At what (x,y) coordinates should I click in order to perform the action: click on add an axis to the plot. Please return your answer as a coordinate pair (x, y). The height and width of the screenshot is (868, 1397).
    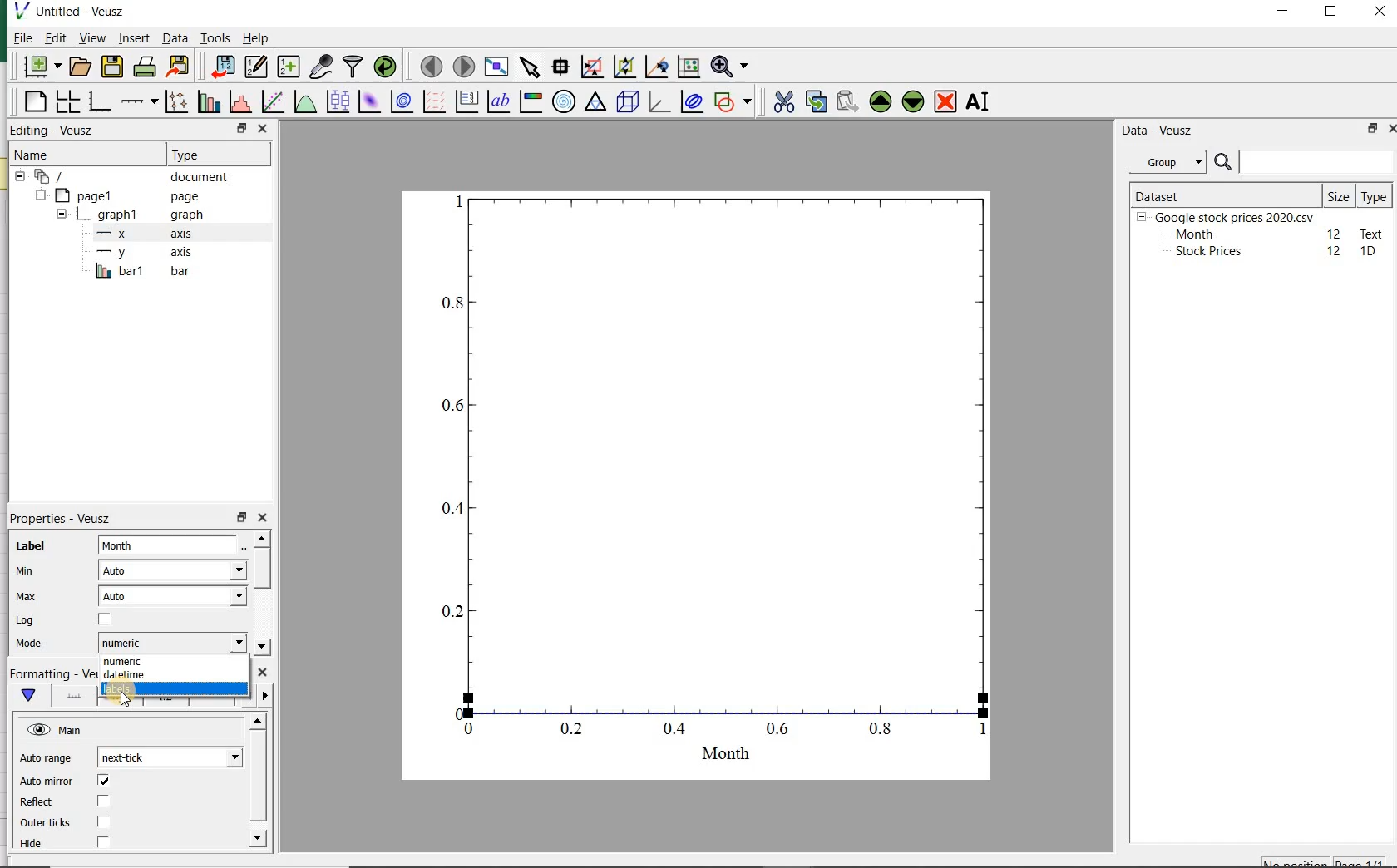
    Looking at the image, I should click on (138, 103).